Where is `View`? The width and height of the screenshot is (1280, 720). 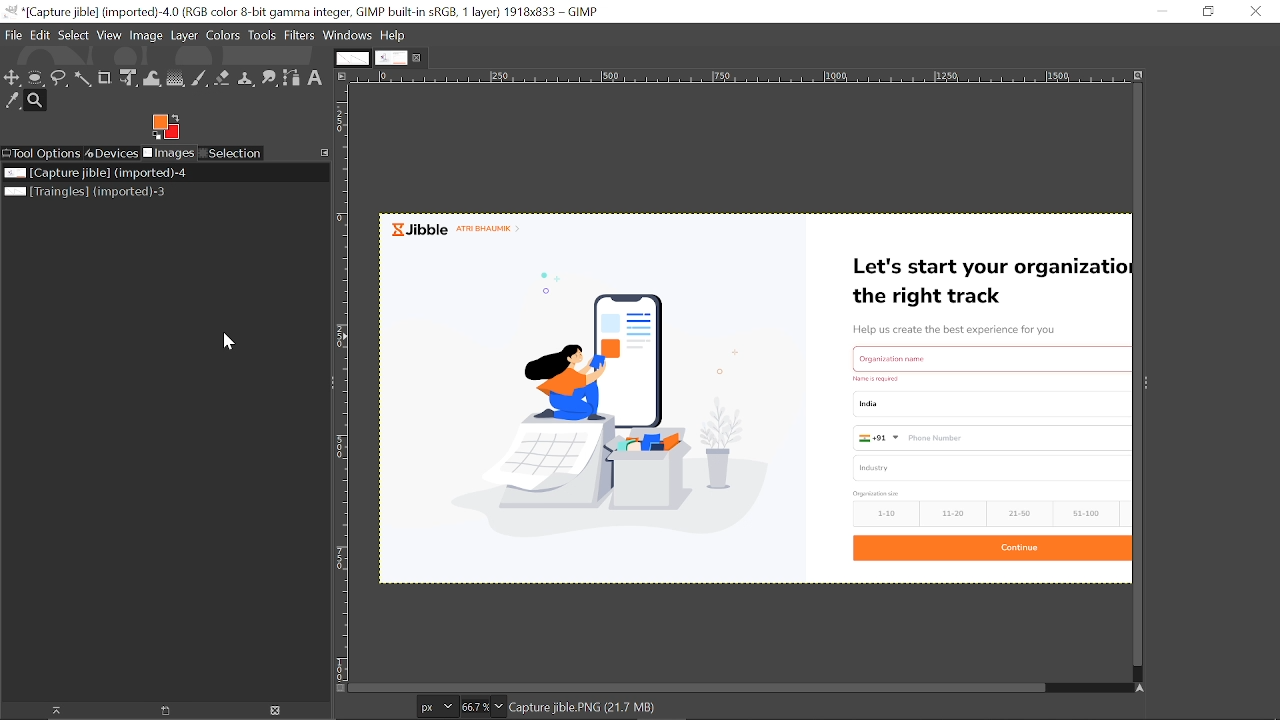
View is located at coordinates (110, 37).